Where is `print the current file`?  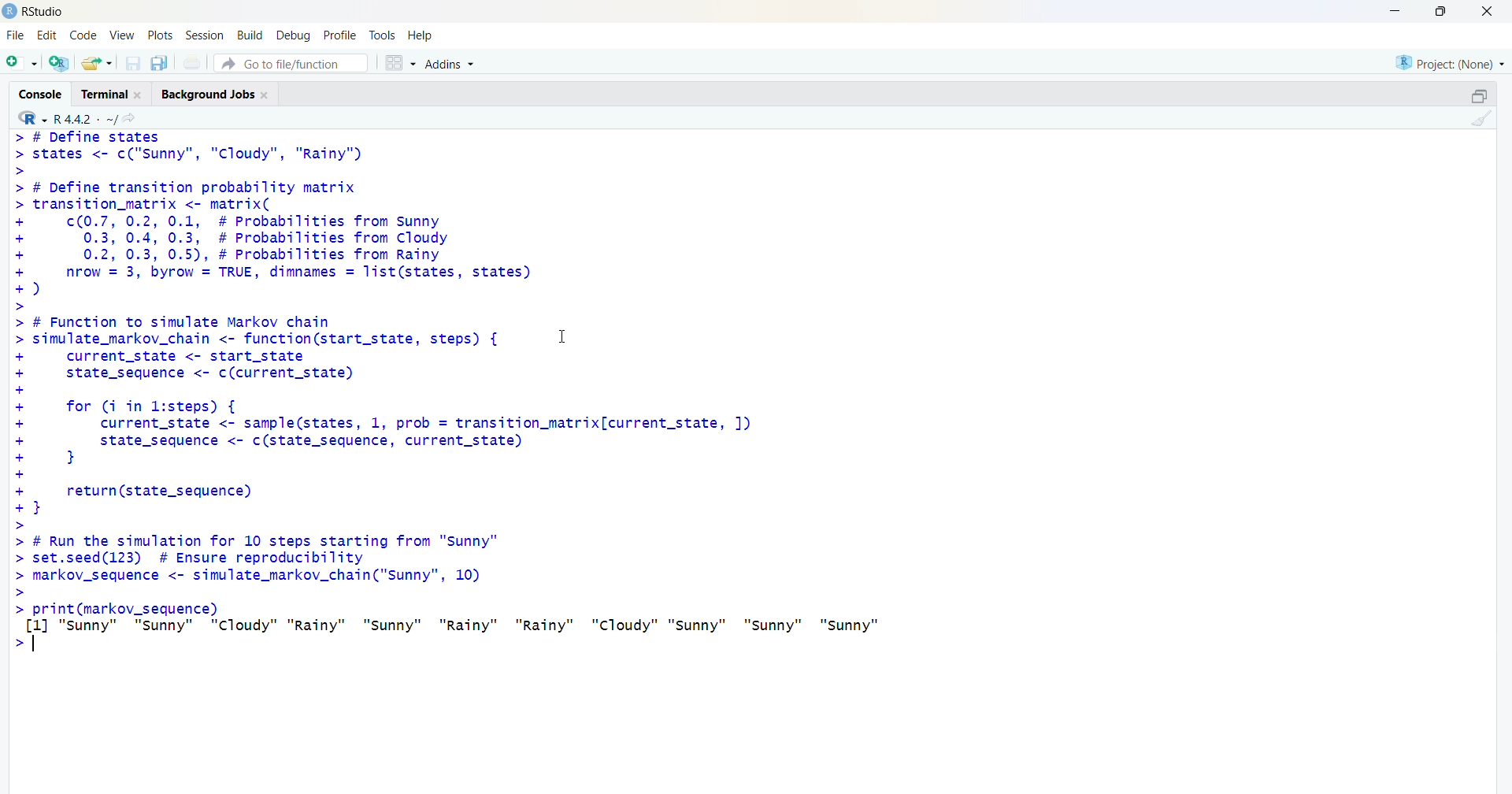 print the current file is located at coordinates (195, 62).